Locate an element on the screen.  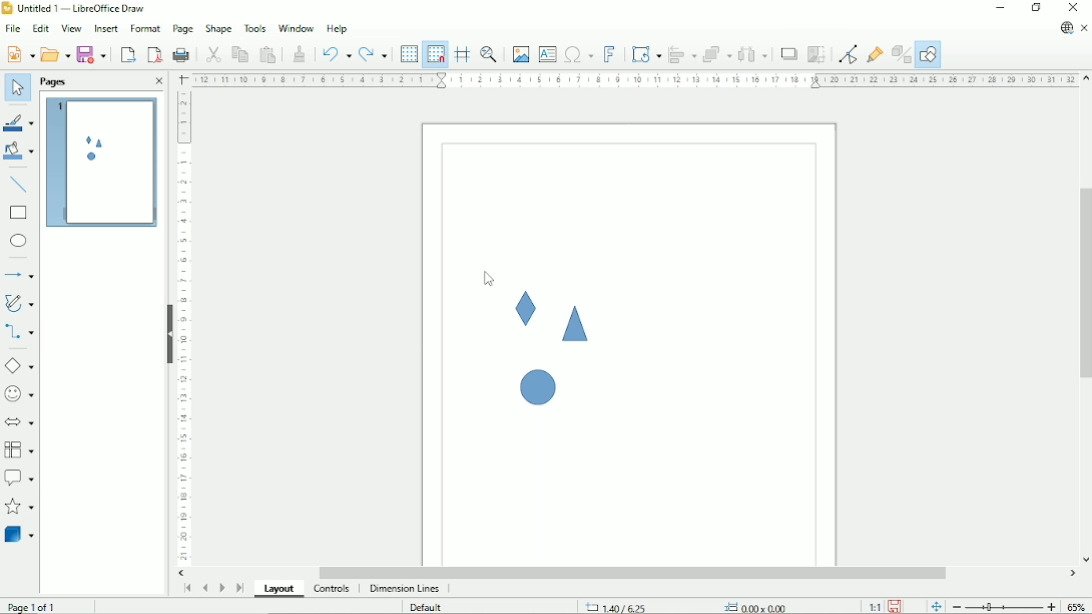
Clone formatting is located at coordinates (300, 53).